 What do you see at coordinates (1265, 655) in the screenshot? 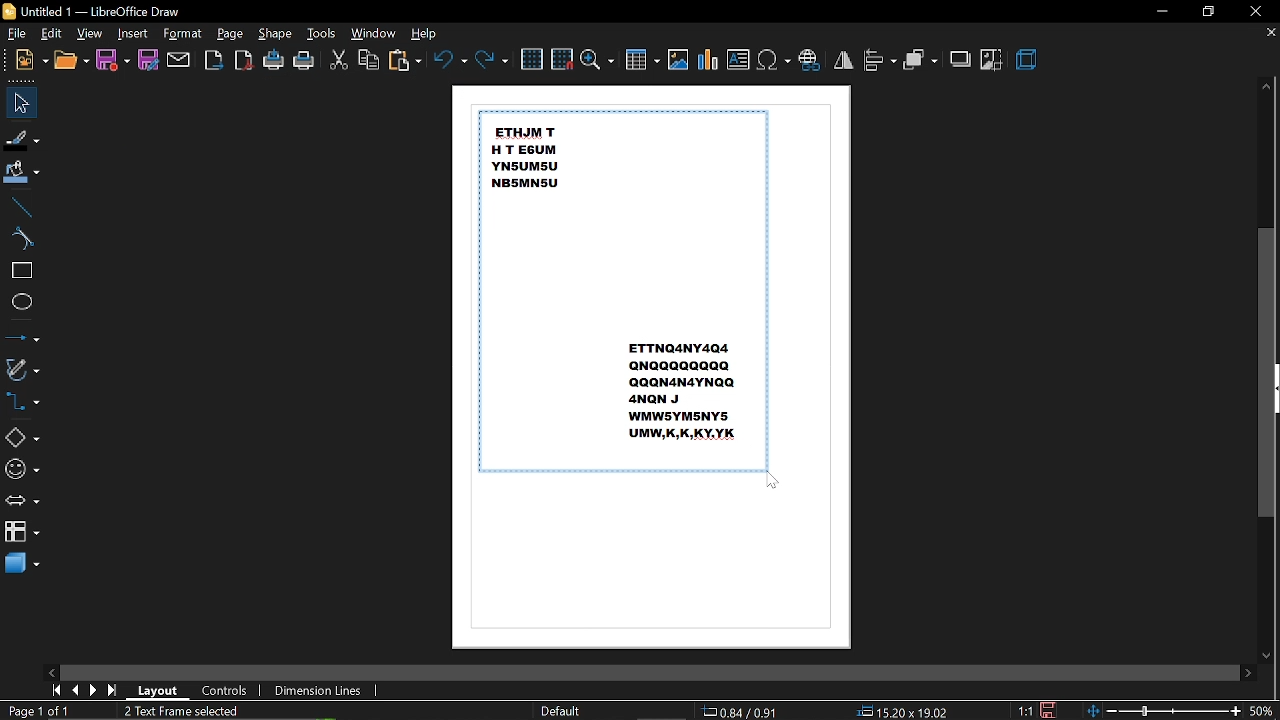
I see `move down` at bounding box center [1265, 655].